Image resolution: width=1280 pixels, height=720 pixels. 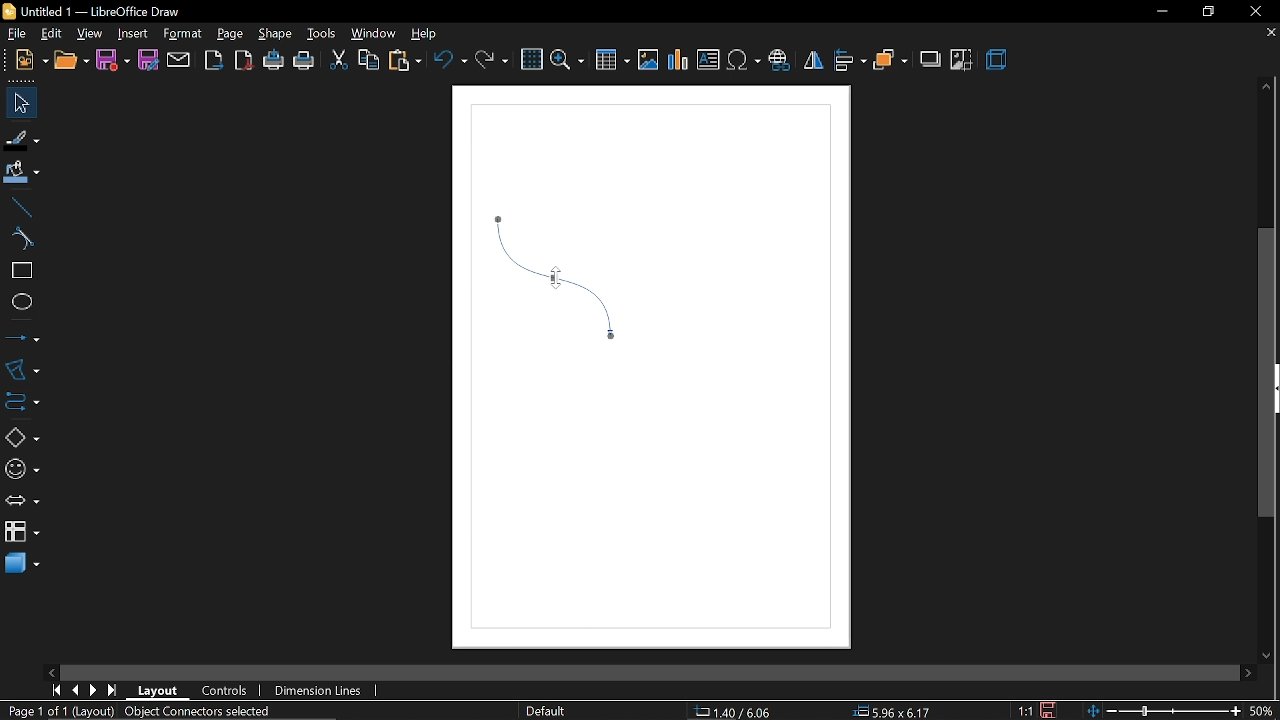 I want to click on 5.96x6.17, so click(x=891, y=710).